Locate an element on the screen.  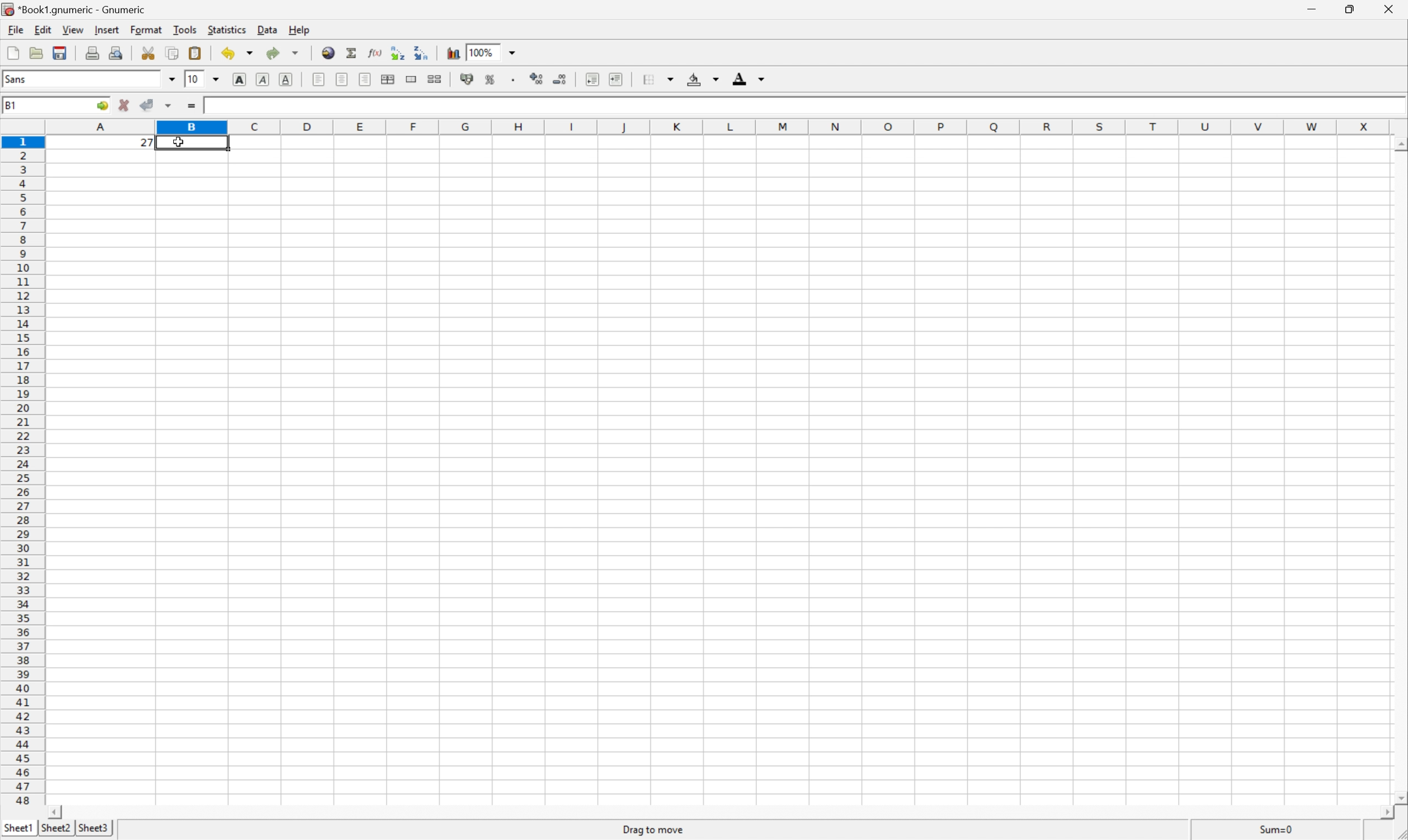
Center horizontally is located at coordinates (340, 78).